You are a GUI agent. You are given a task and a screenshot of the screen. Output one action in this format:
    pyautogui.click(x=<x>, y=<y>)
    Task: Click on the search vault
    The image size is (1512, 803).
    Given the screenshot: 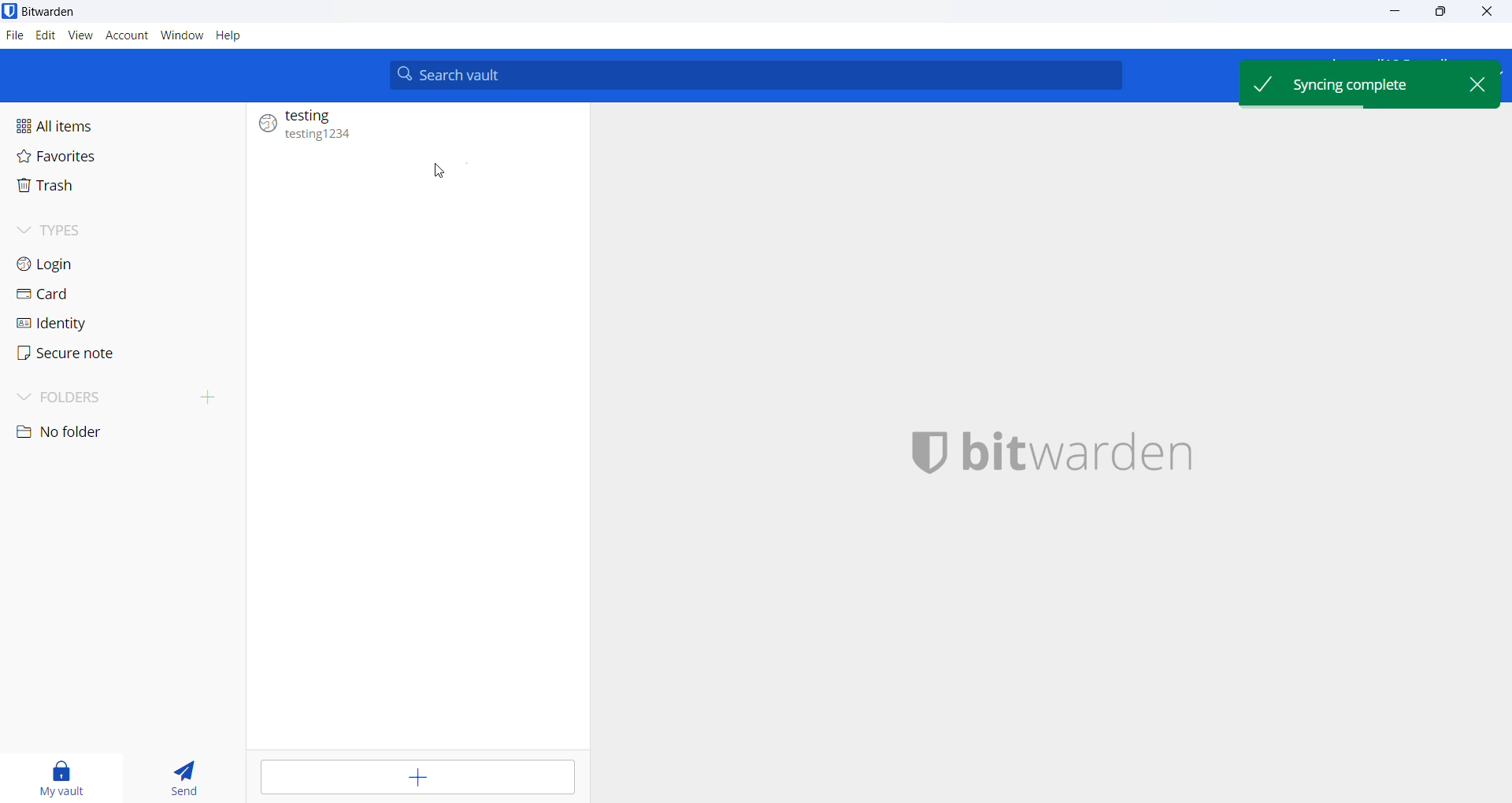 What is the action you would take?
    pyautogui.click(x=754, y=76)
    